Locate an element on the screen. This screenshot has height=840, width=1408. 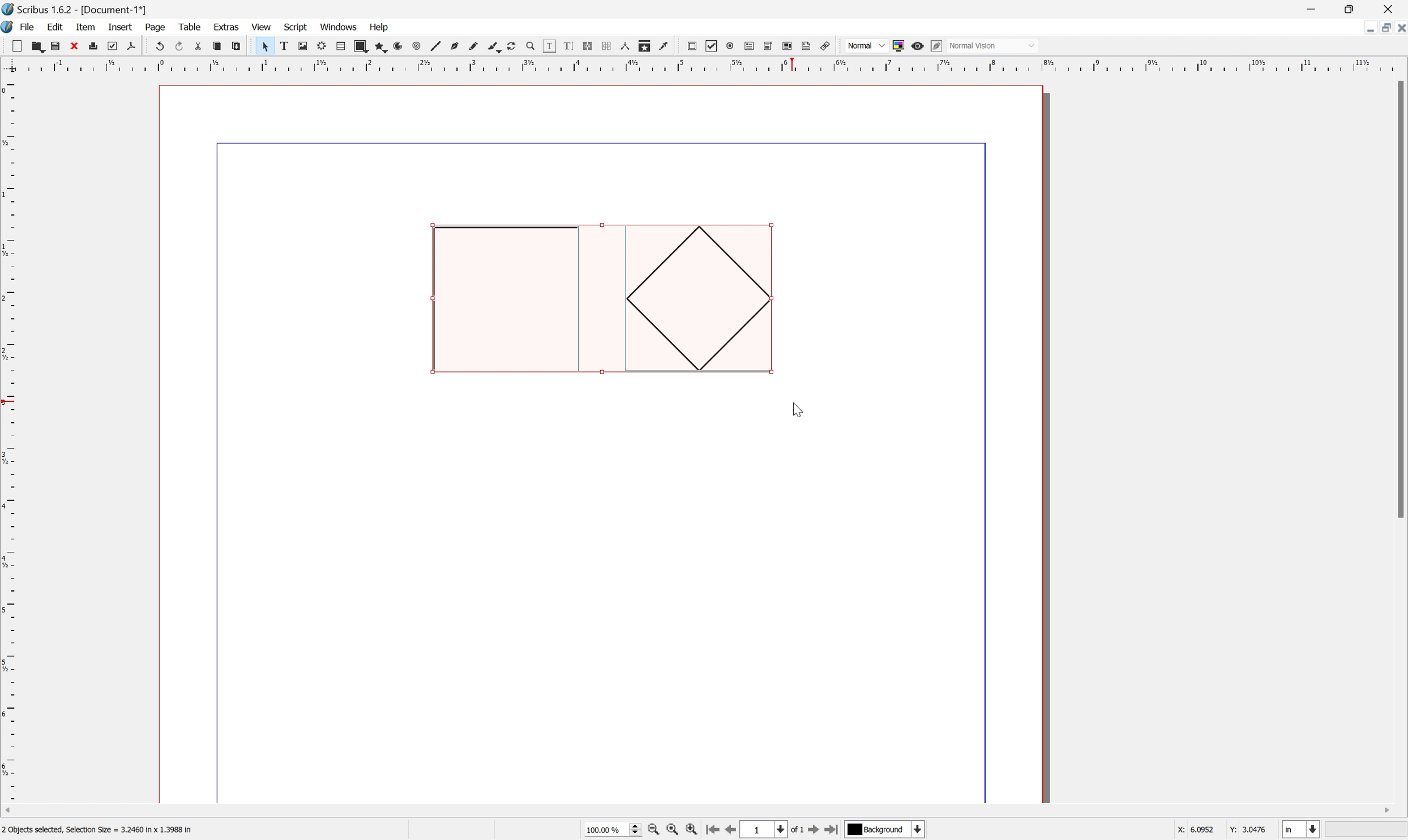
Go to previous page is located at coordinates (730, 830).